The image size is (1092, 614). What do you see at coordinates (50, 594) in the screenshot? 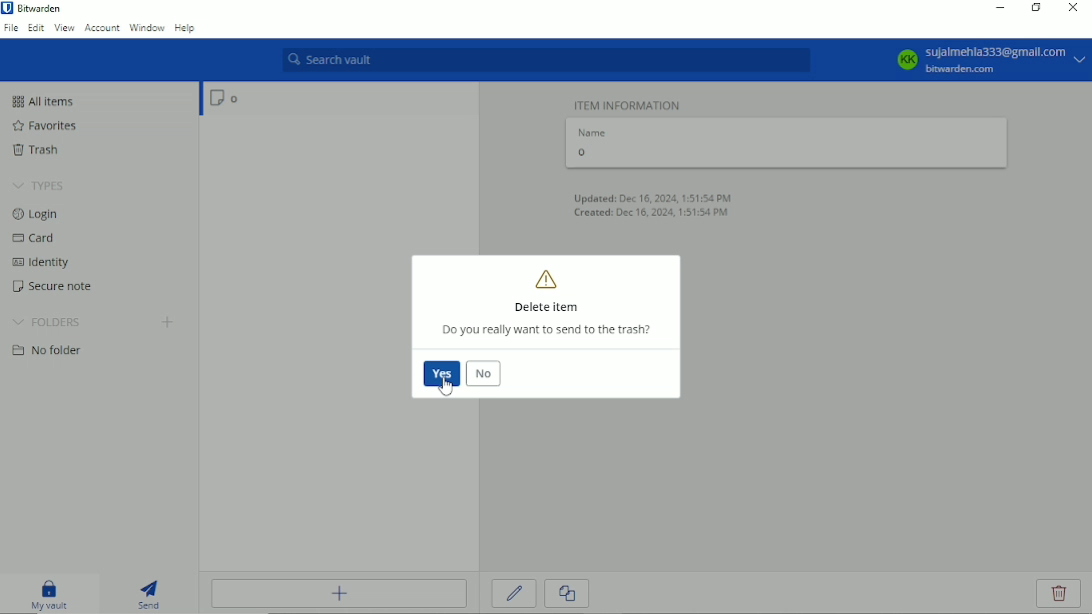
I see `My vault` at bounding box center [50, 594].